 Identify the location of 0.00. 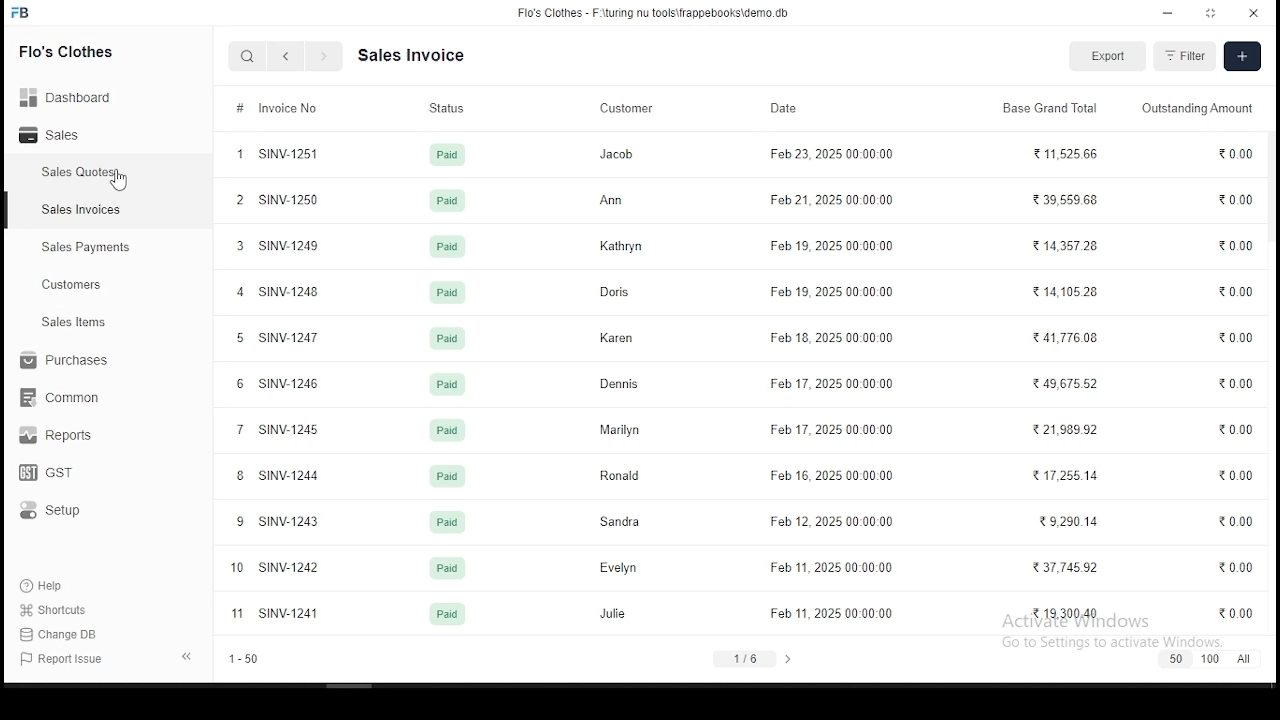
(1228, 381).